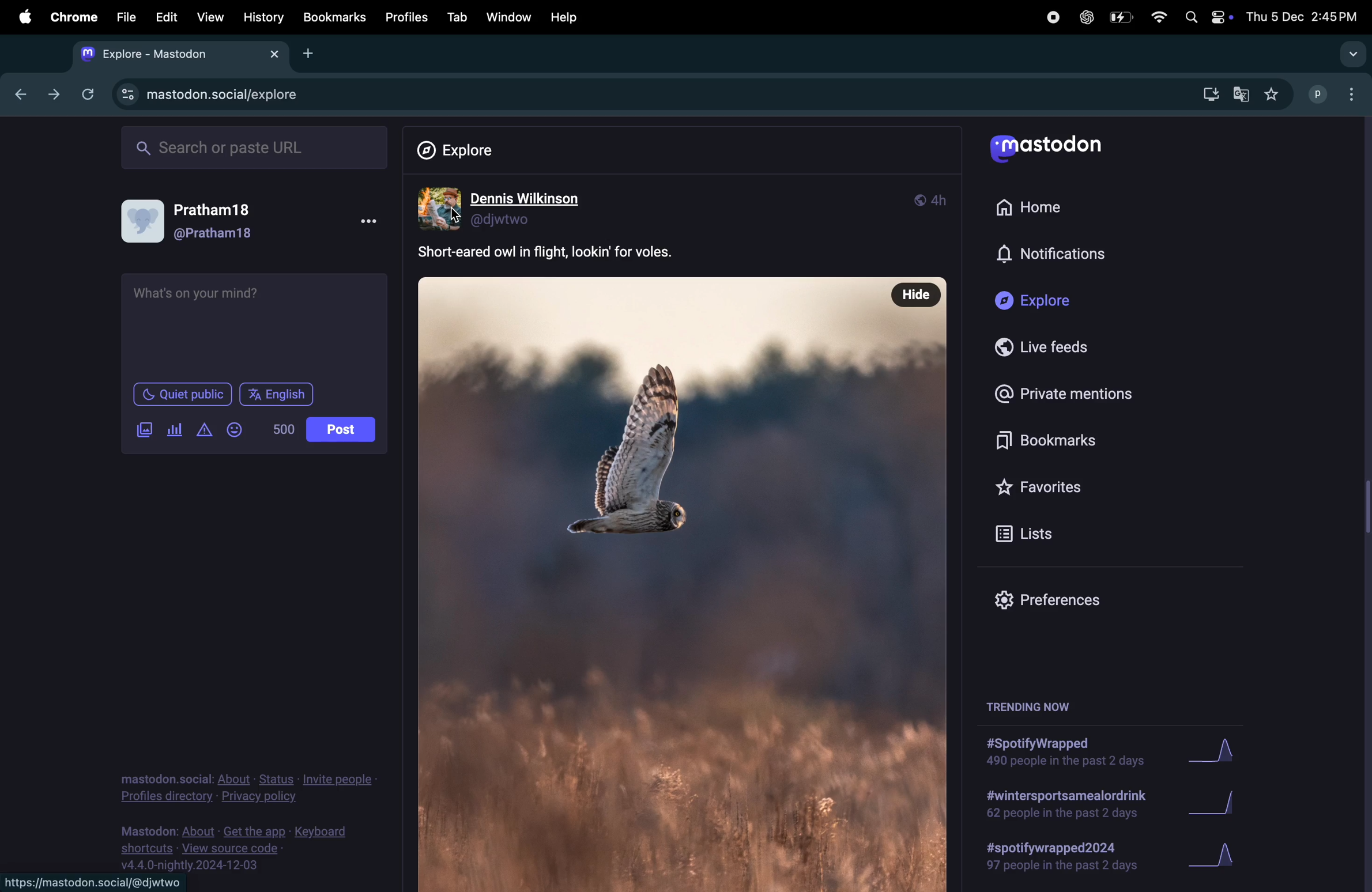  I want to click on textbox, so click(256, 325).